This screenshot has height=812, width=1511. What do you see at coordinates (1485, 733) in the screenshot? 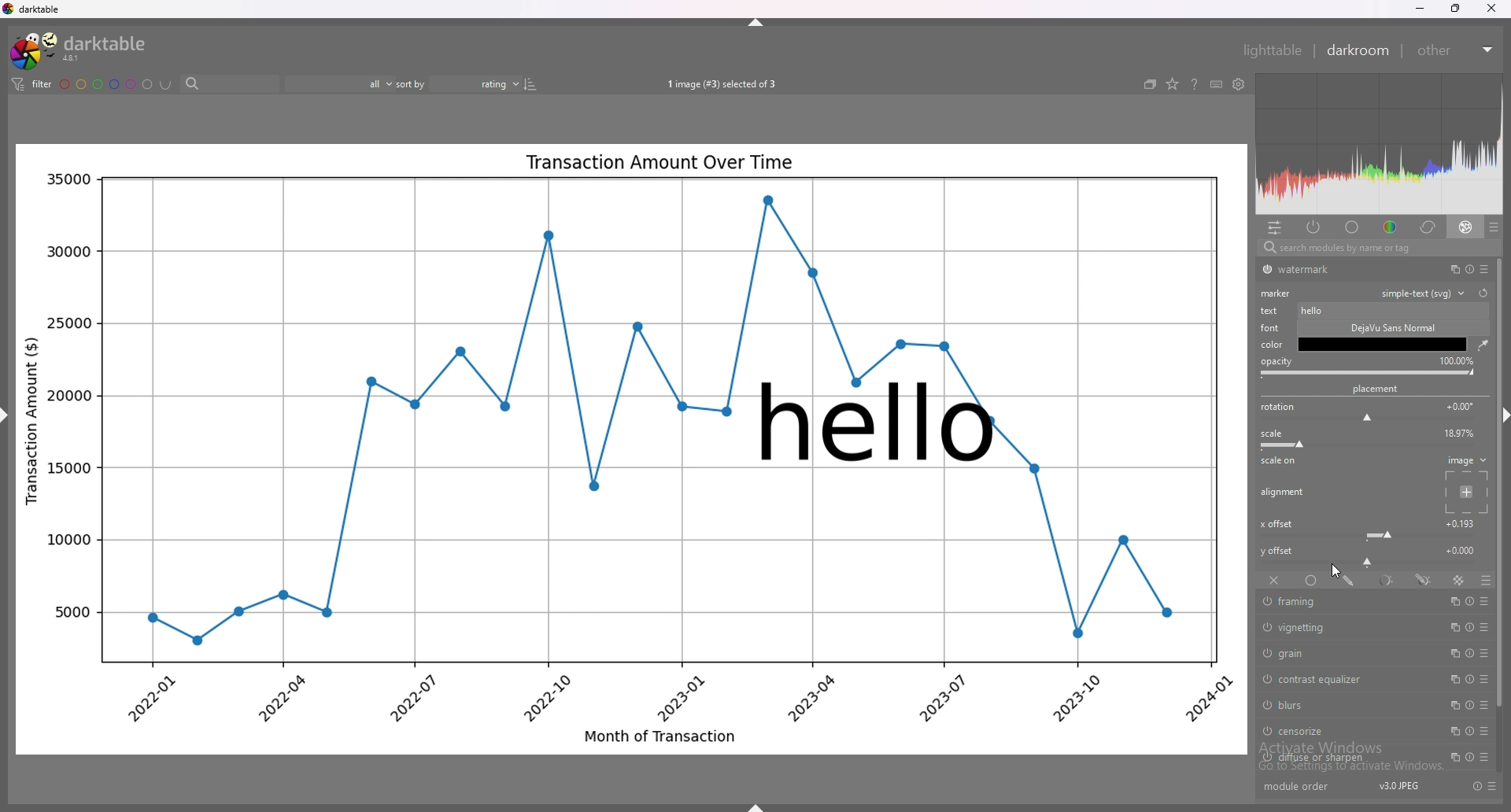
I see `presets` at bounding box center [1485, 733].